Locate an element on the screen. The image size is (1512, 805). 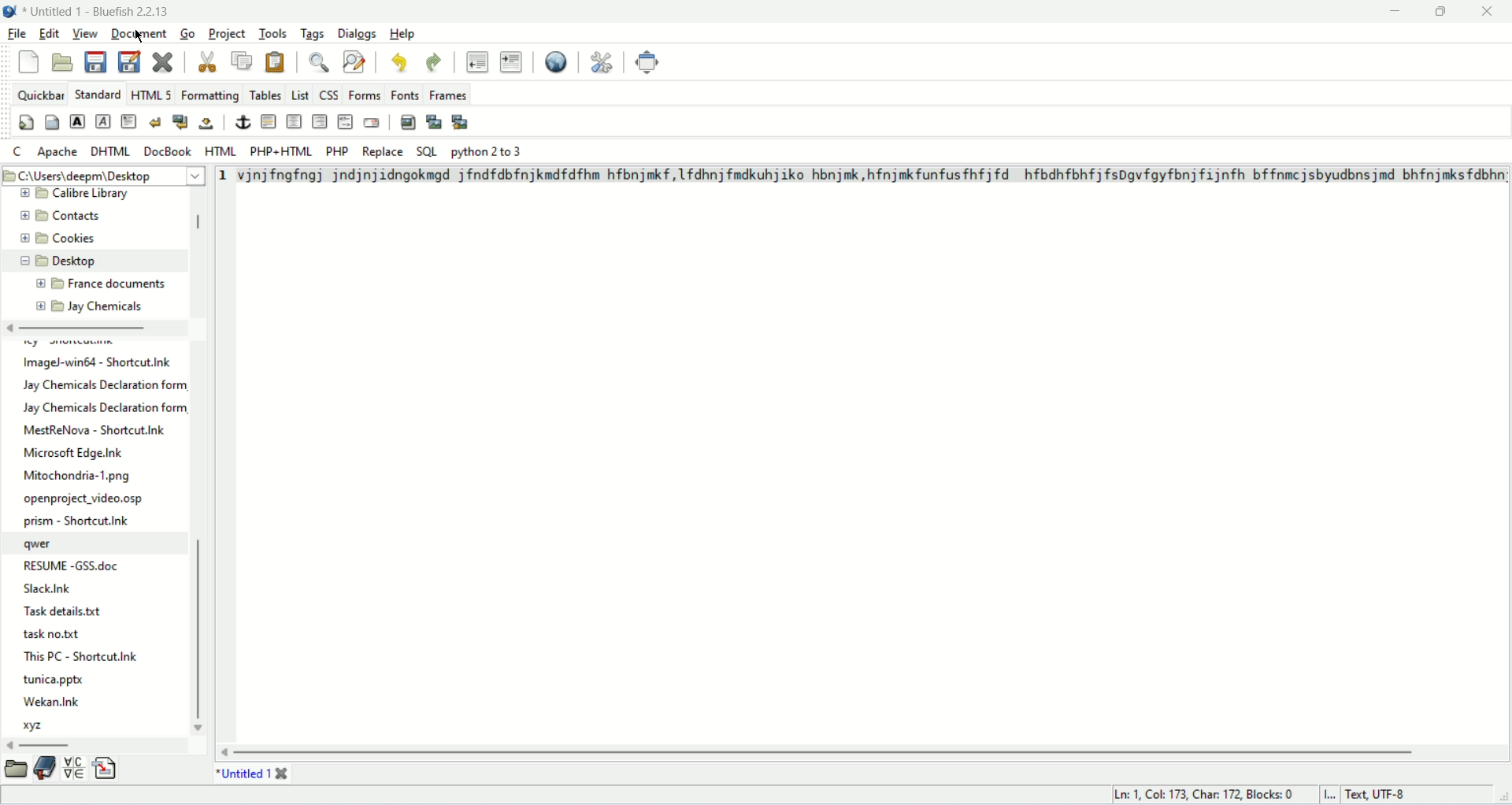
insert image is located at coordinates (408, 122).